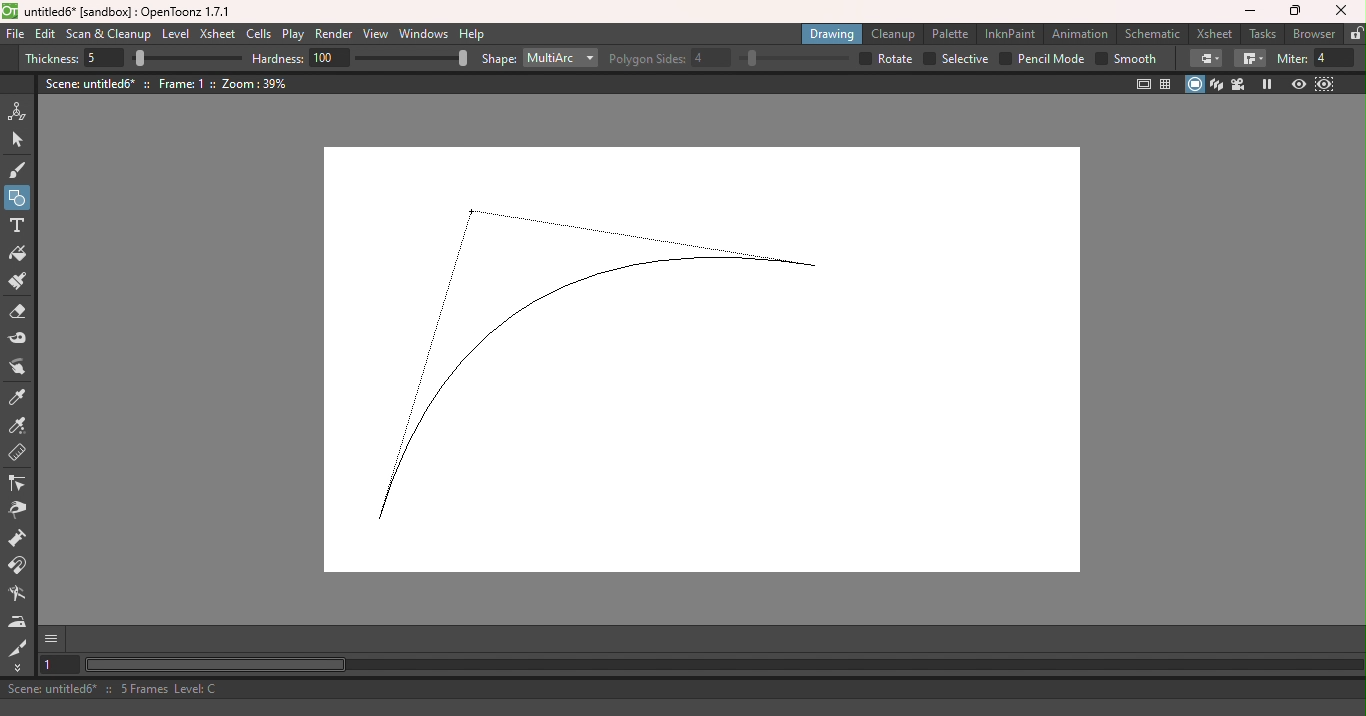  What do you see at coordinates (1238, 85) in the screenshot?
I see `Camera view` at bounding box center [1238, 85].